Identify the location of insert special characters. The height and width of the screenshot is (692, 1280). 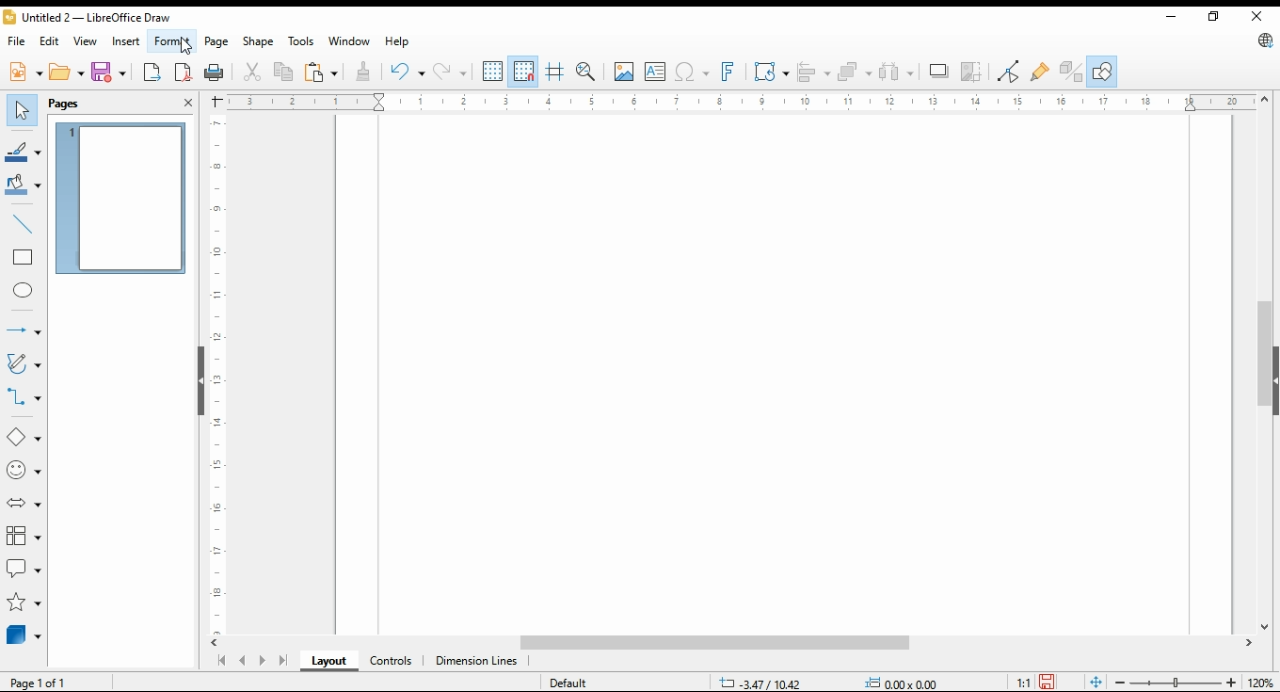
(690, 72).